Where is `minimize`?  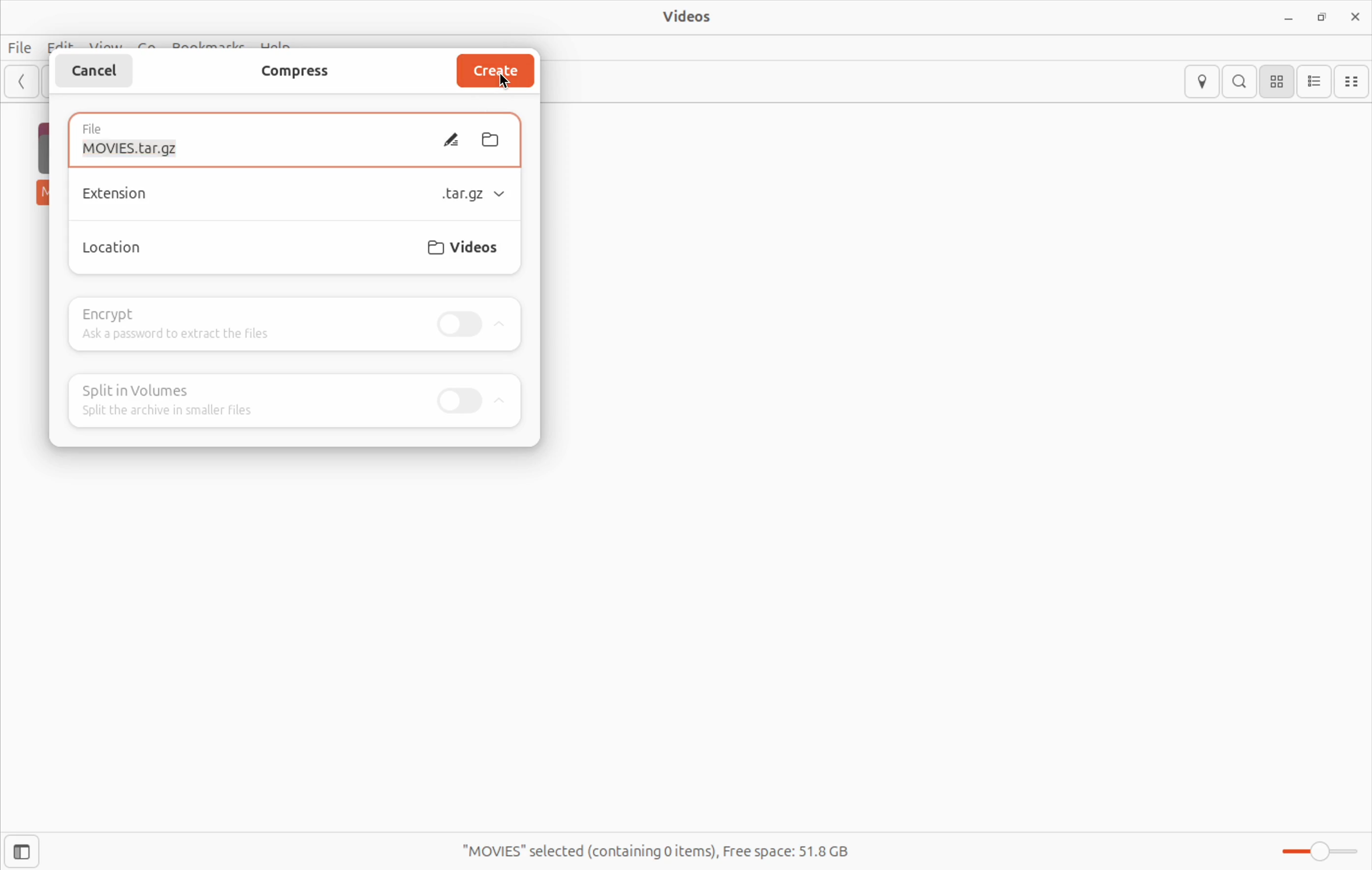
minimize is located at coordinates (1286, 15).